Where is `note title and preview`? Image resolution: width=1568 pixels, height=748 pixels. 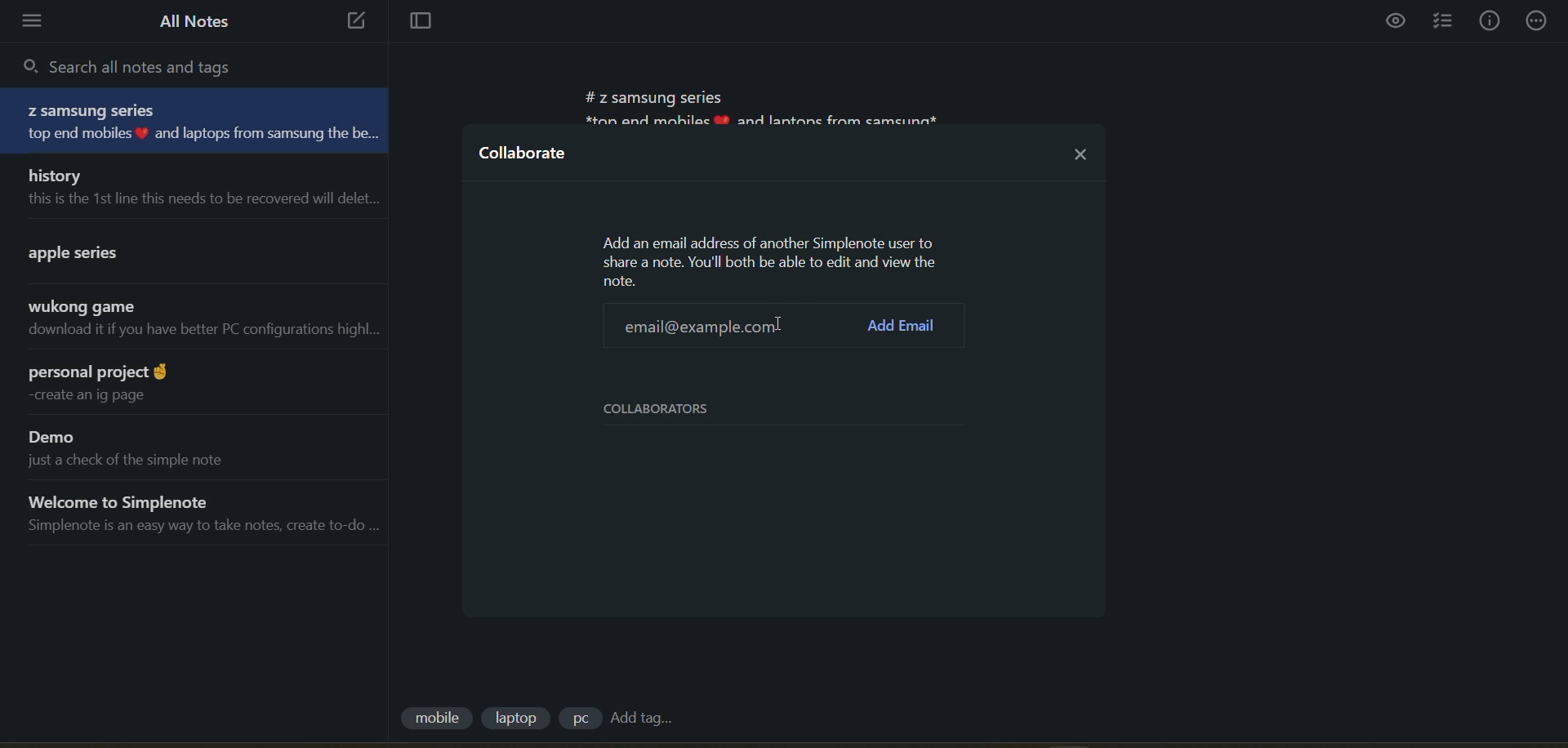 note title and preview is located at coordinates (196, 514).